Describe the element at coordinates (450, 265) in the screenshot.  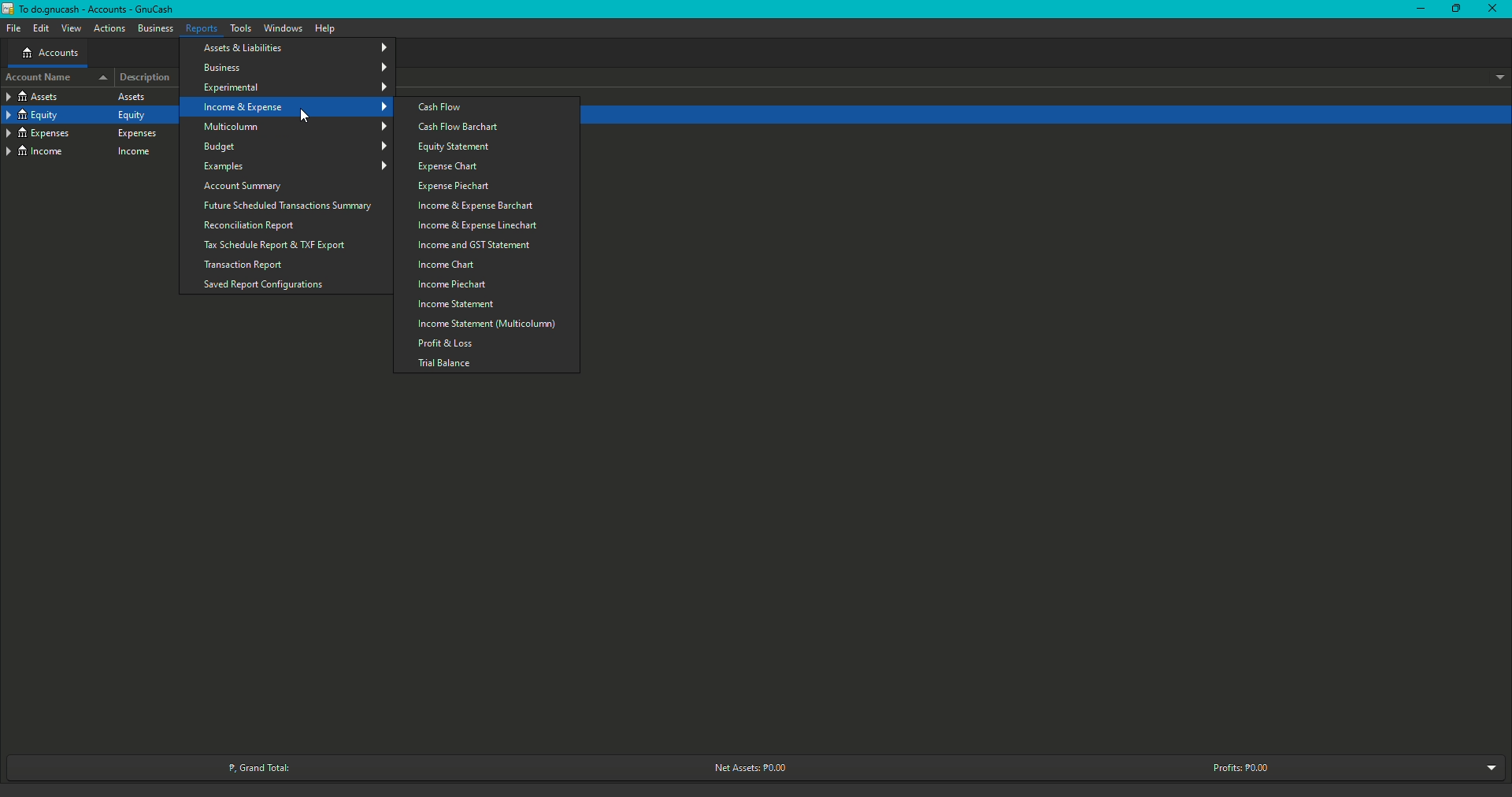
I see `Income Chart` at that location.